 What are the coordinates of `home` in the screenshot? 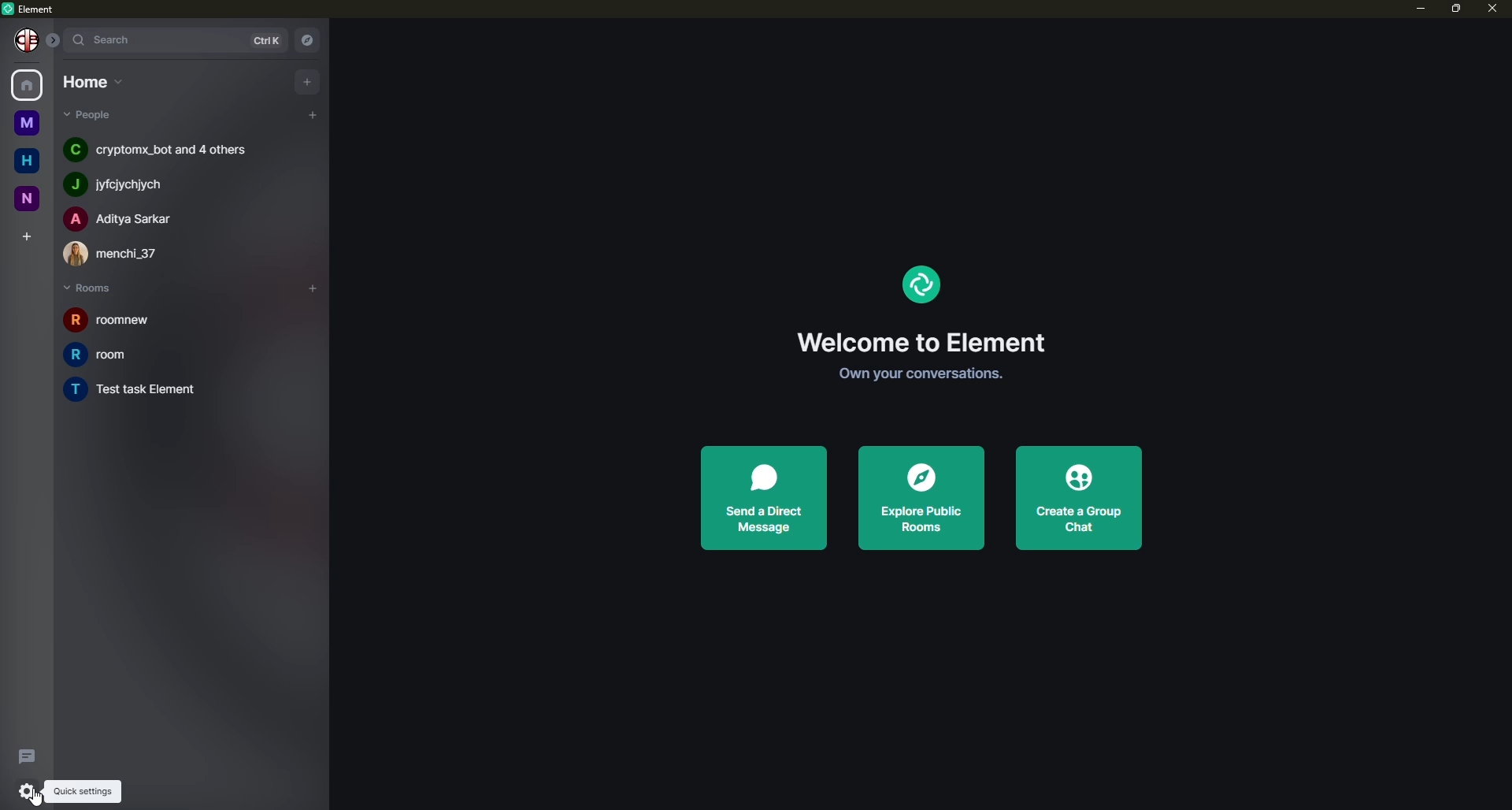 It's located at (29, 84).